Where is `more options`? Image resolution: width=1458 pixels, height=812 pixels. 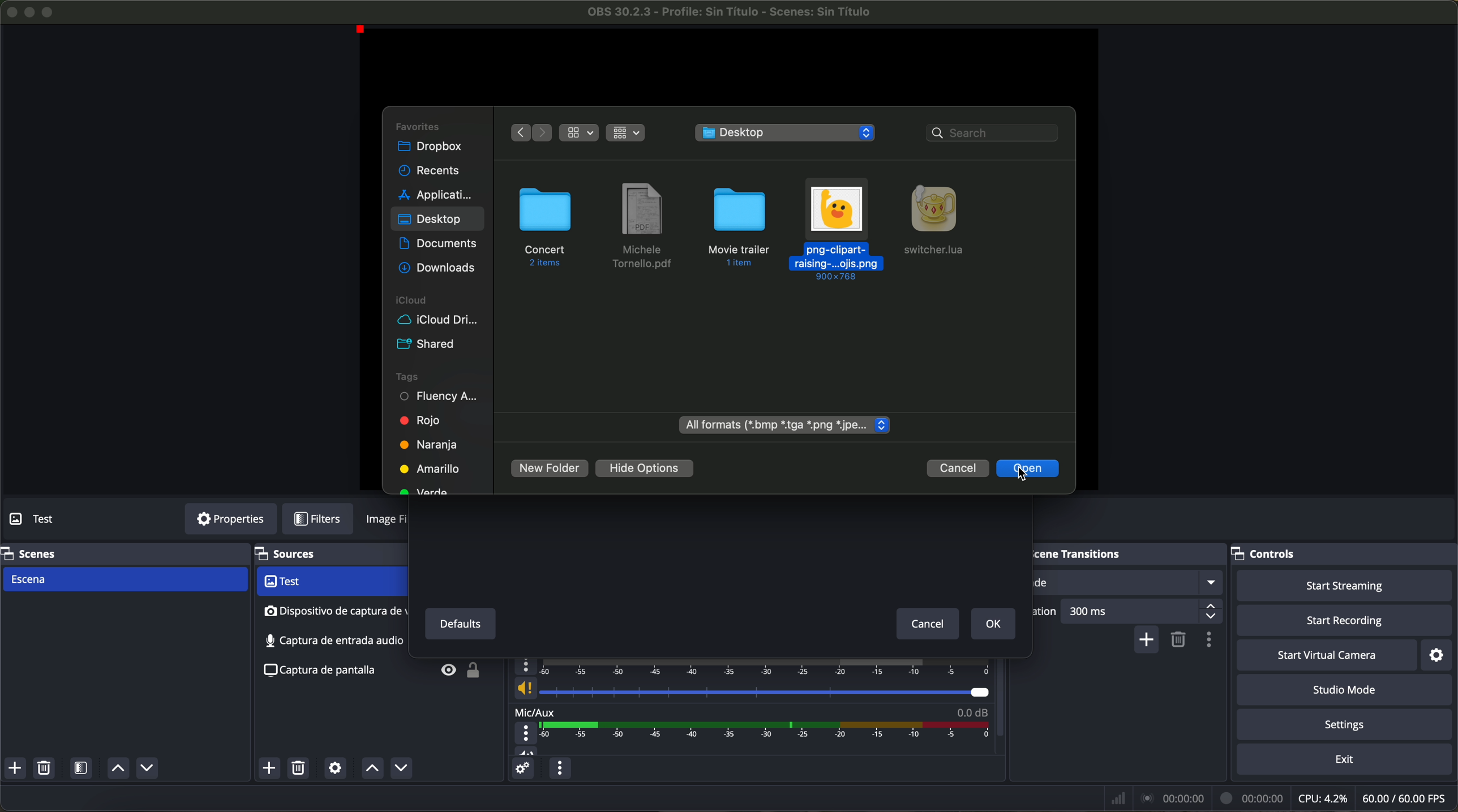 more options is located at coordinates (527, 733).